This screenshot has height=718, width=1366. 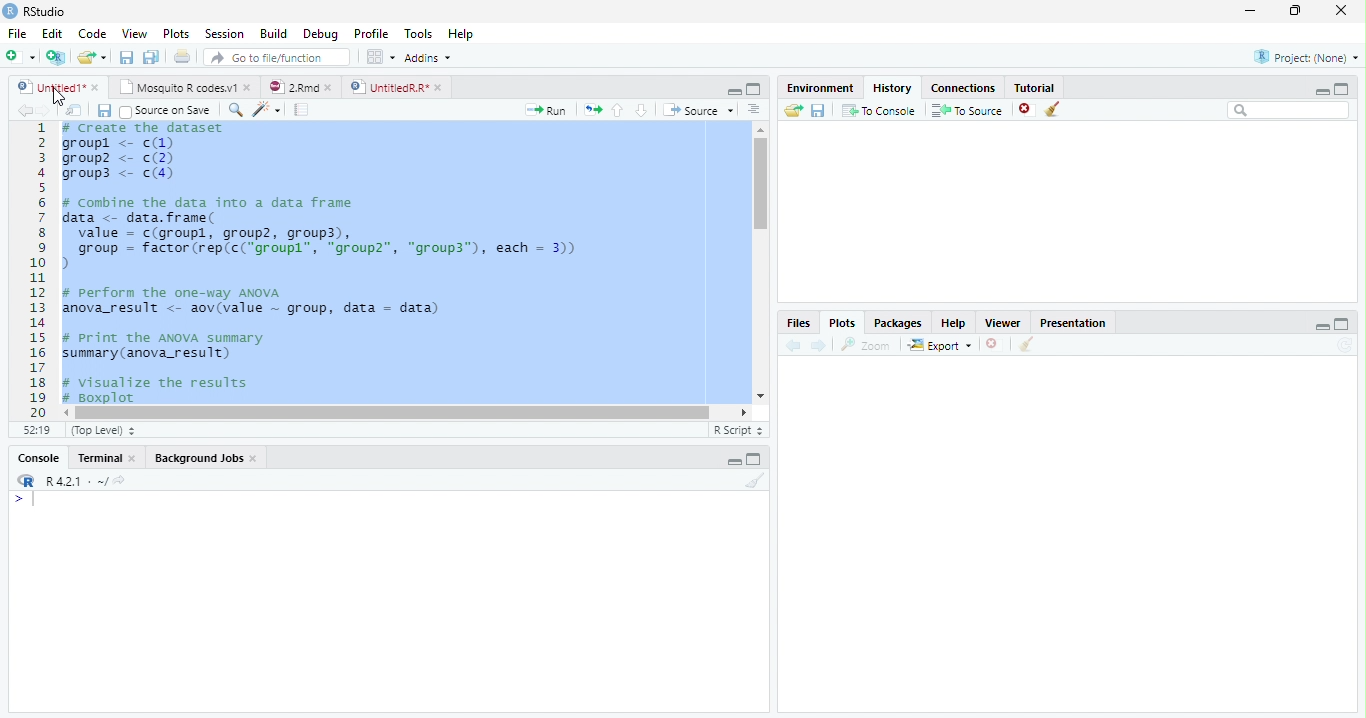 What do you see at coordinates (759, 483) in the screenshot?
I see `Clear console` at bounding box center [759, 483].